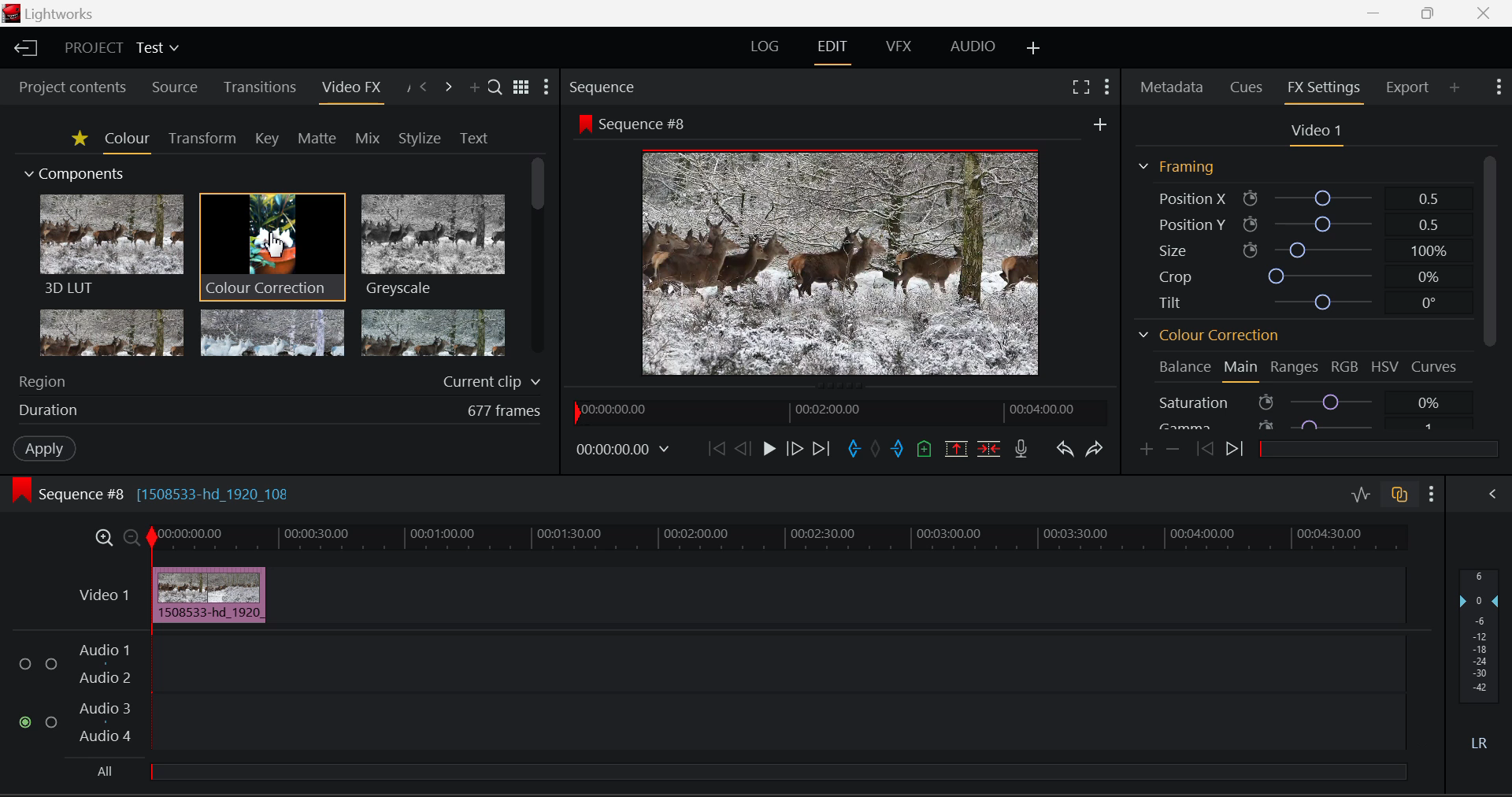 This screenshot has height=797, width=1512. I want to click on Close, so click(1483, 14).